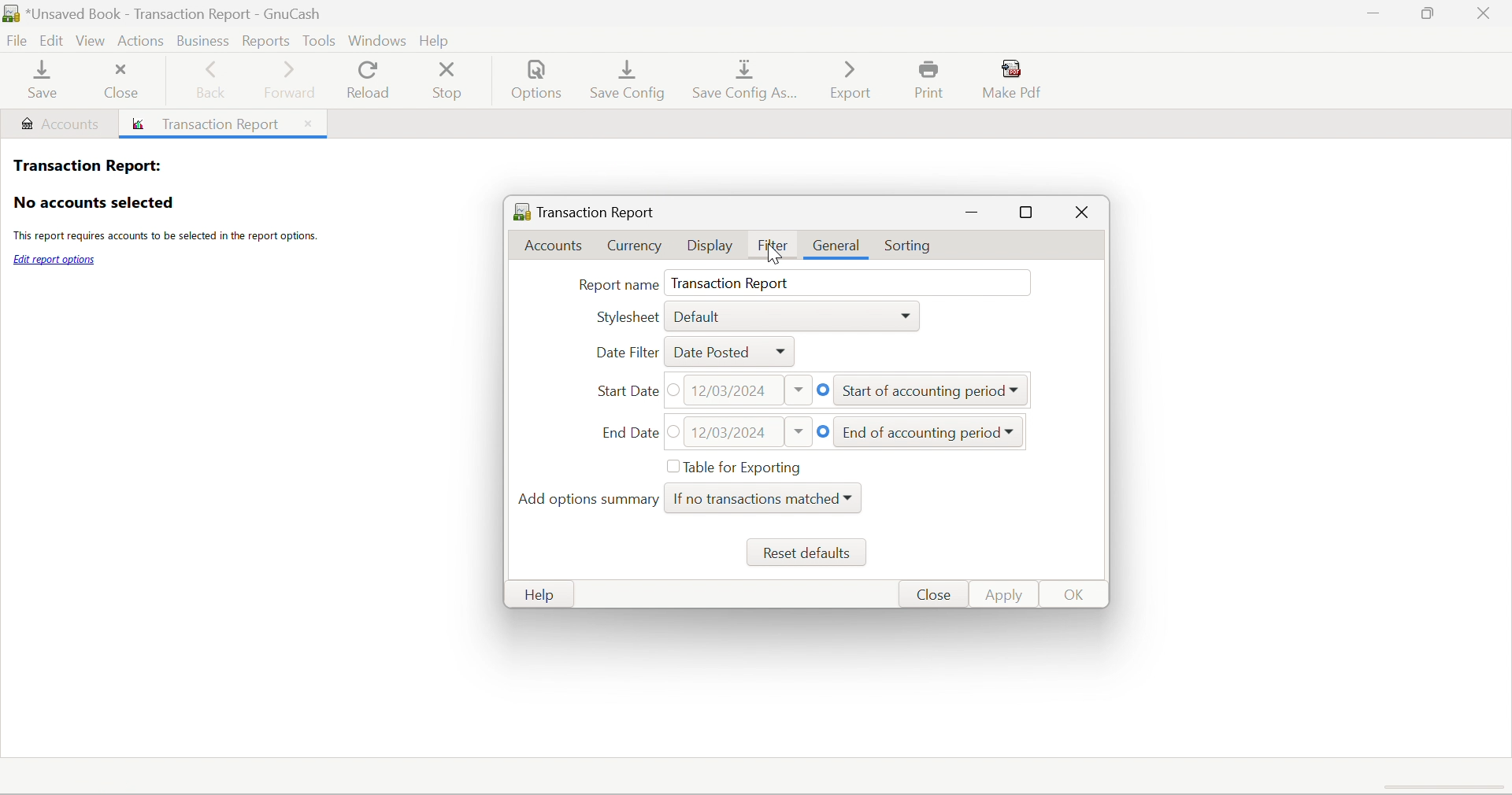 Image resolution: width=1512 pixels, height=795 pixels. What do you see at coordinates (1486, 13) in the screenshot?
I see `Close` at bounding box center [1486, 13].